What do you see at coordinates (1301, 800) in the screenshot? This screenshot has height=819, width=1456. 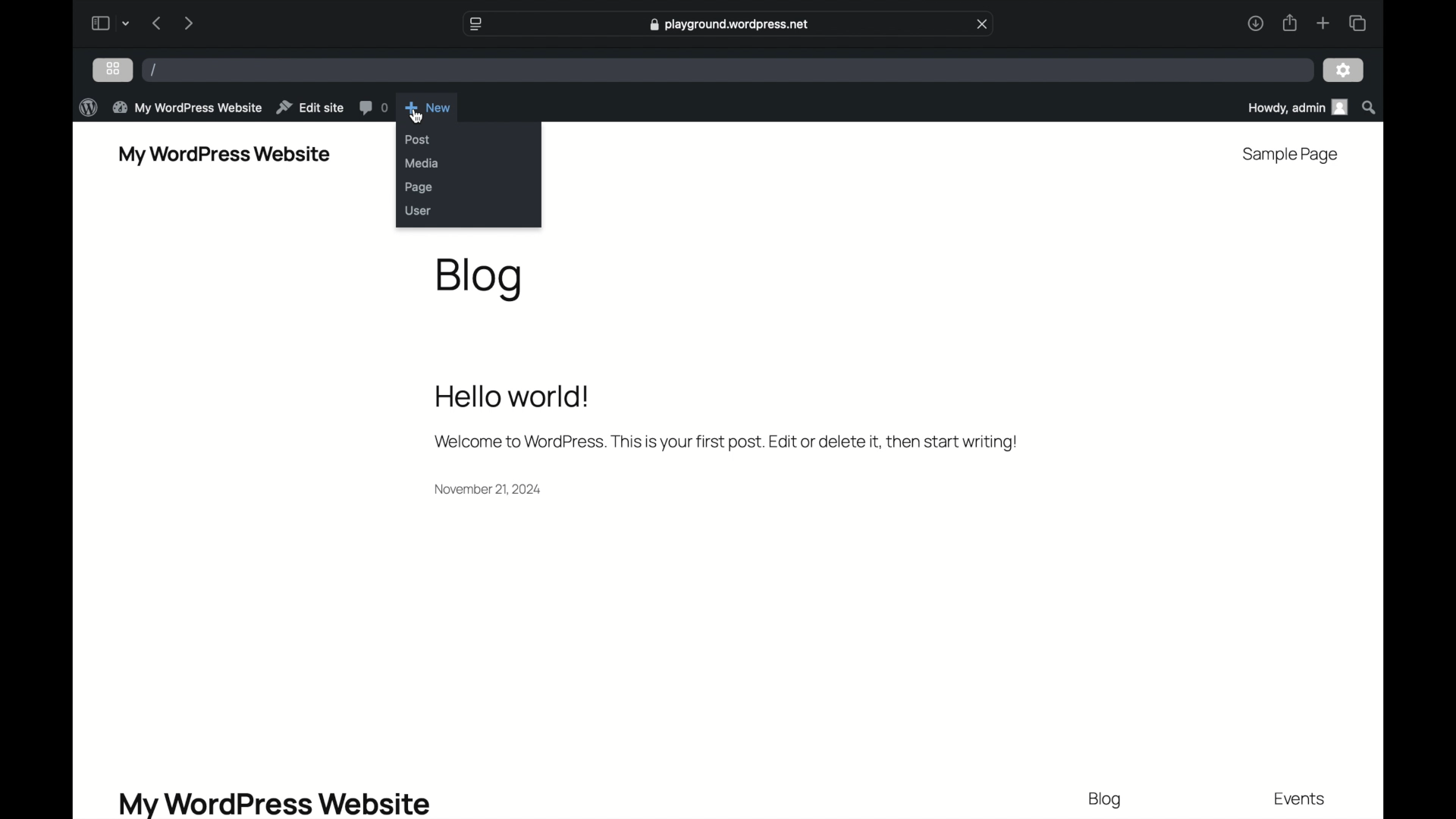 I see `events` at bounding box center [1301, 800].